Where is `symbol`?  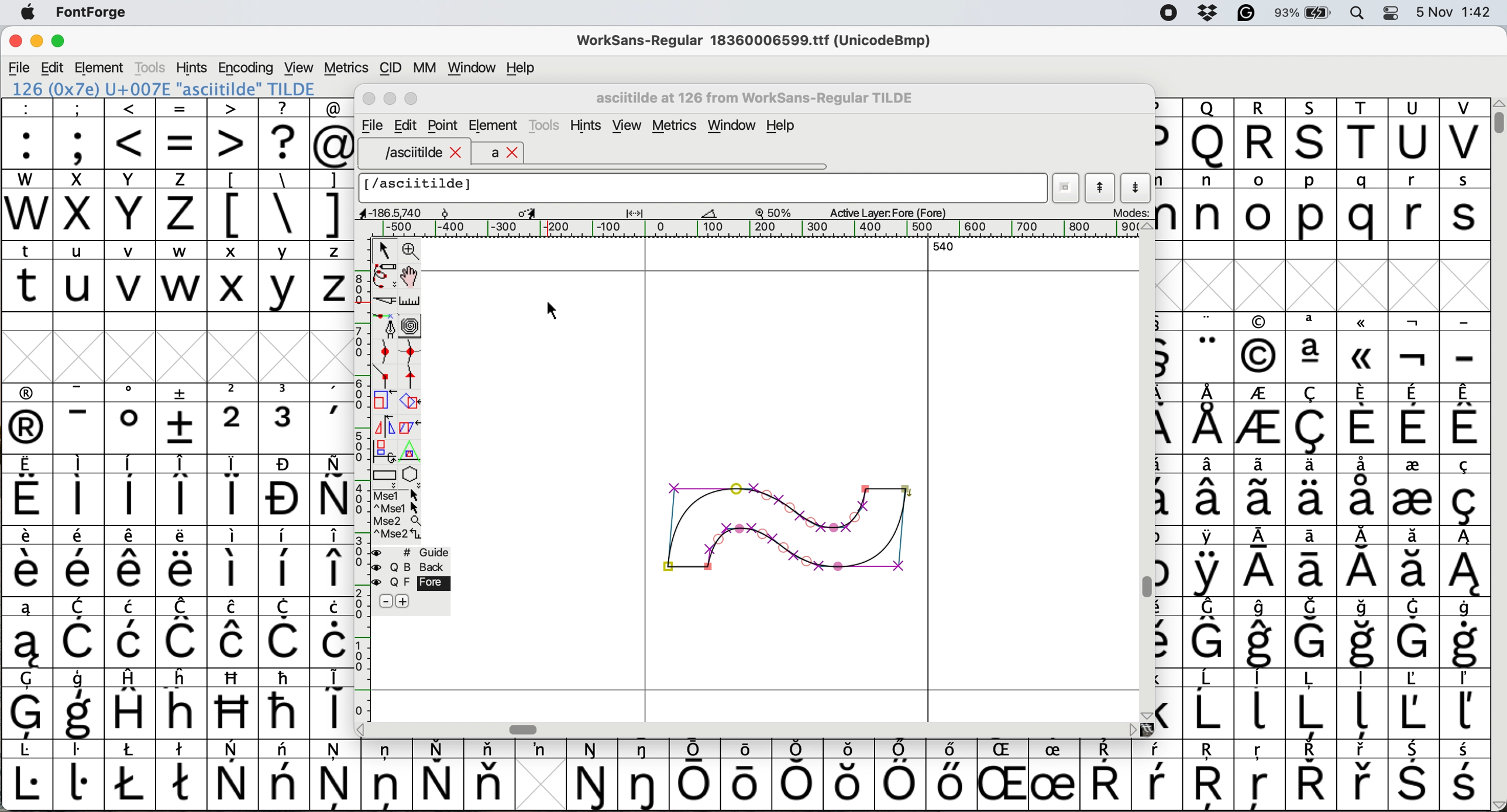
symbol is located at coordinates (1364, 562).